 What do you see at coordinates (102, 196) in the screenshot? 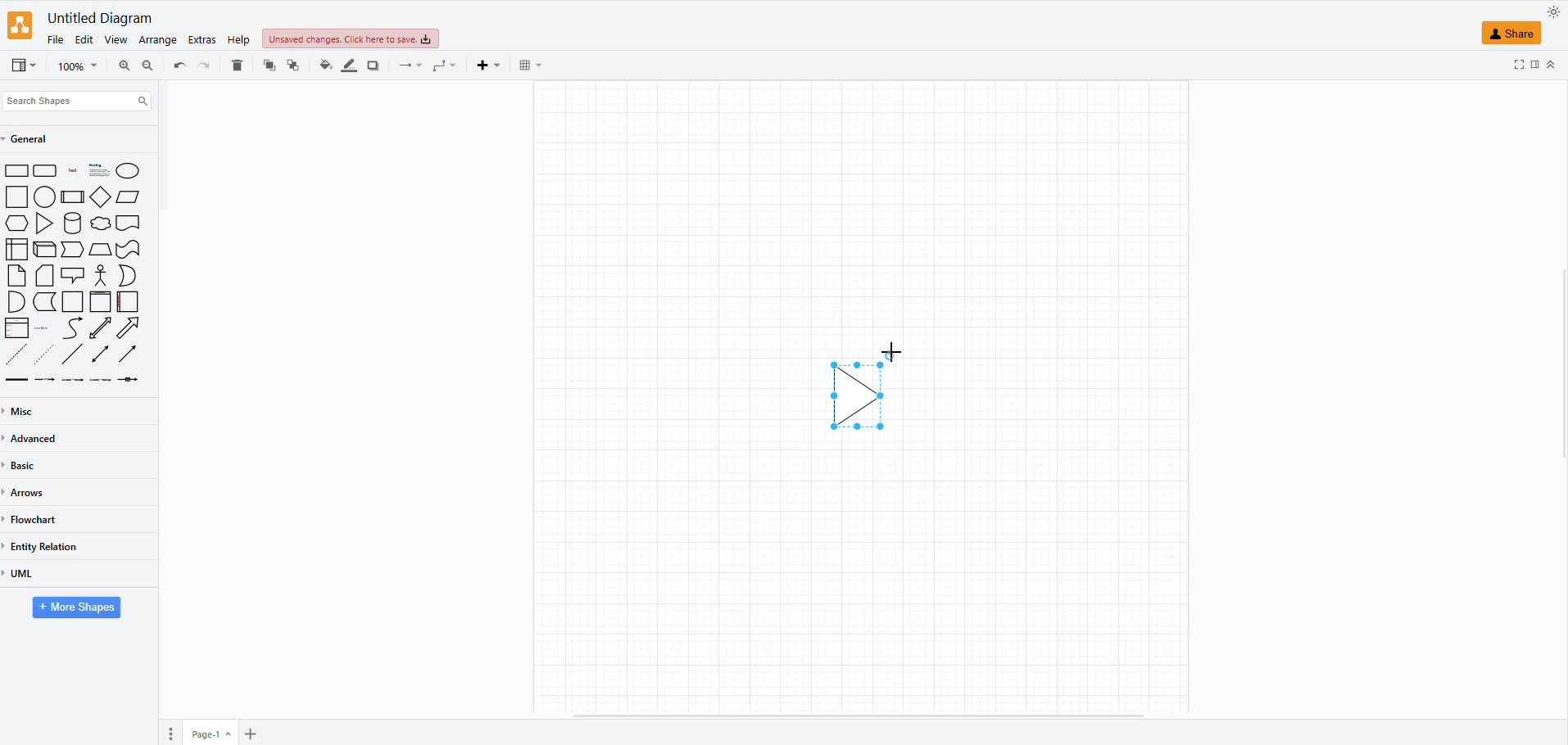
I see `Kite` at bounding box center [102, 196].